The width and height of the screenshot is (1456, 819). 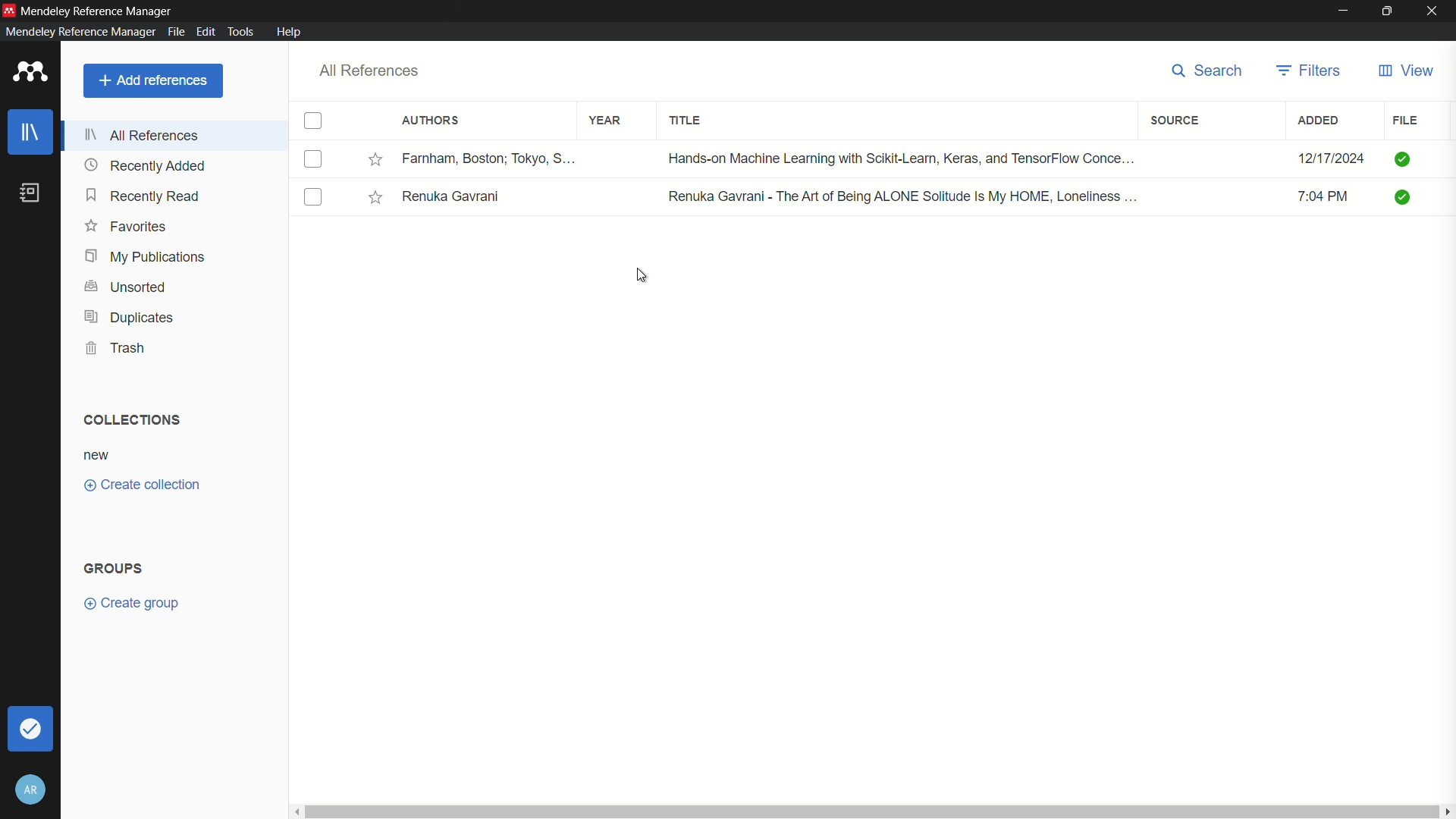 What do you see at coordinates (1407, 71) in the screenshot?
I see `view` at bounding box center [1407, 71].